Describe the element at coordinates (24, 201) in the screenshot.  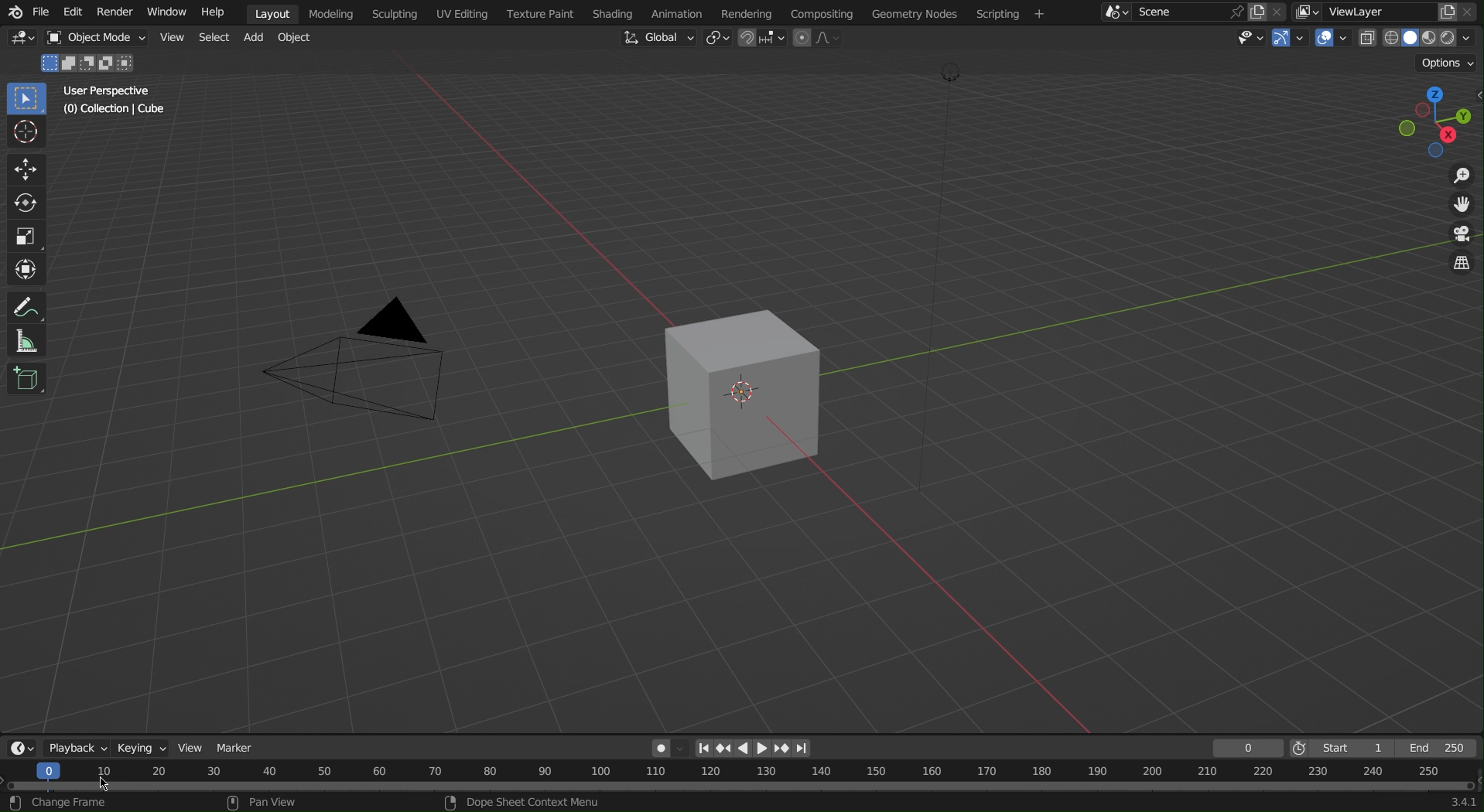
I see `Rotate` at that location.